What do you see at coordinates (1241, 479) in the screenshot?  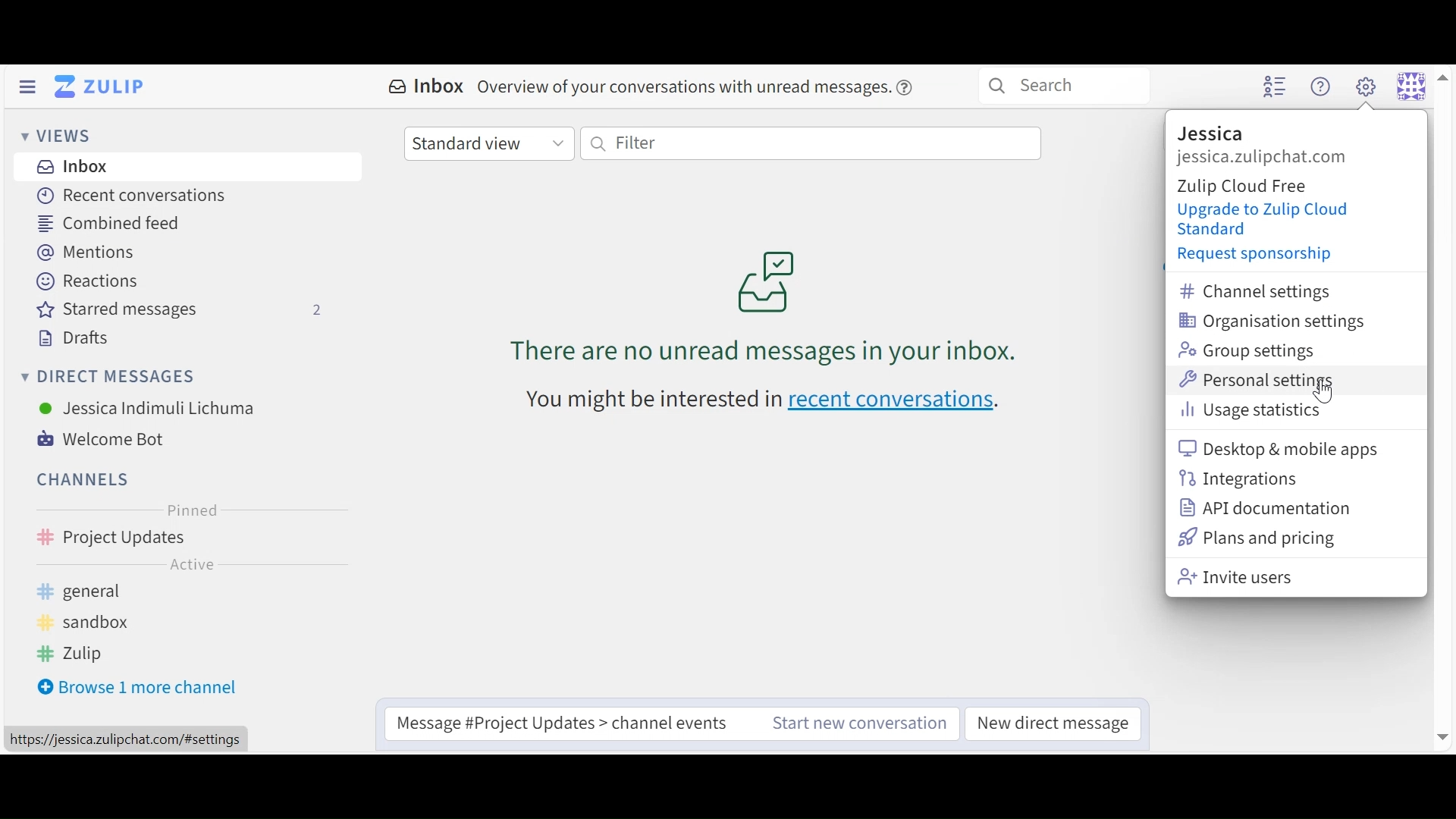 I see `Intergrations` at bounding box center [1241, 479].